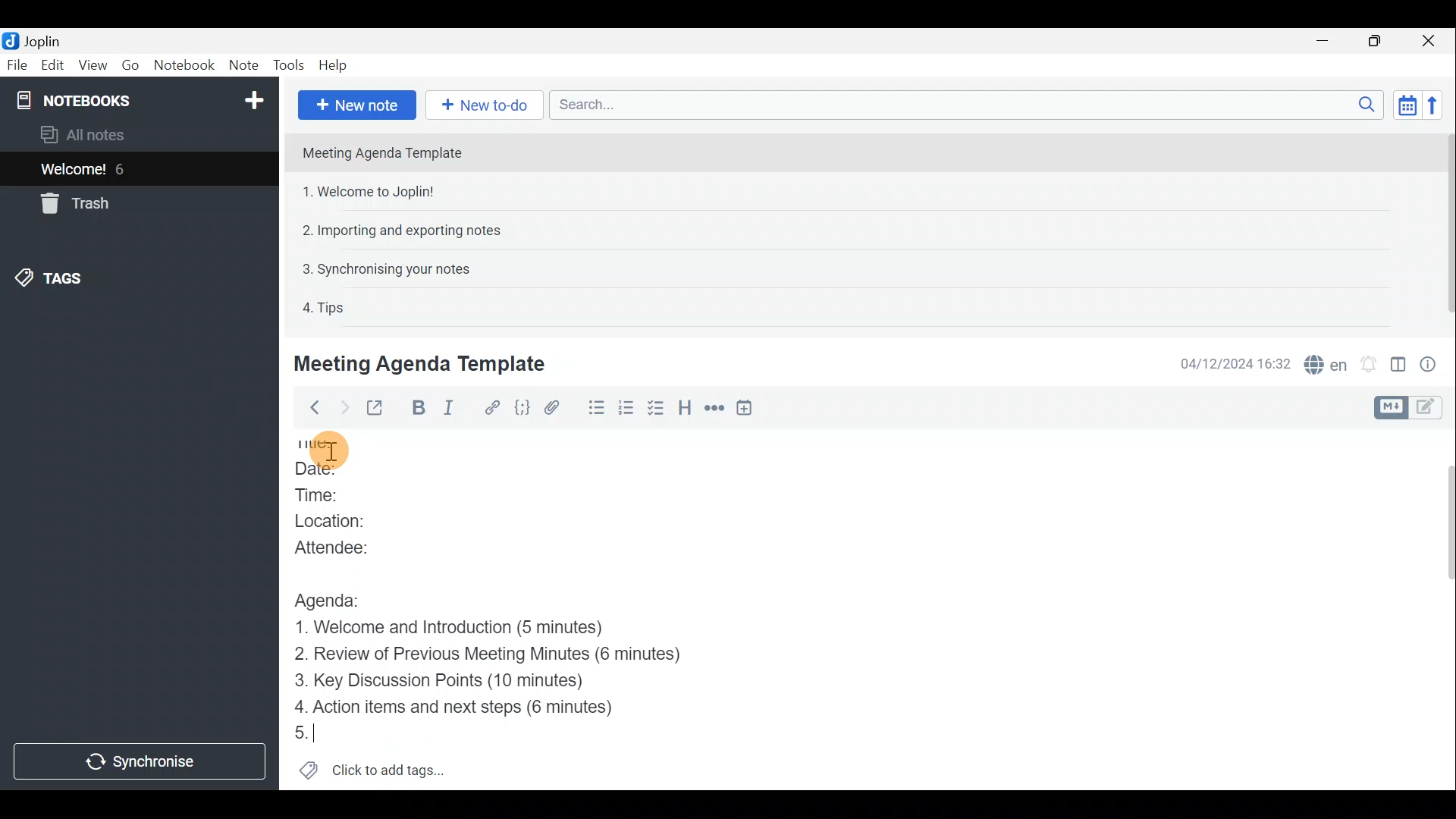 Image resolution: width=1456 pixels, height=819 pixels. What do you see at coordinates (559, 408) in the screenshot?
I see `Attach file` at bounding box center [559, 408].